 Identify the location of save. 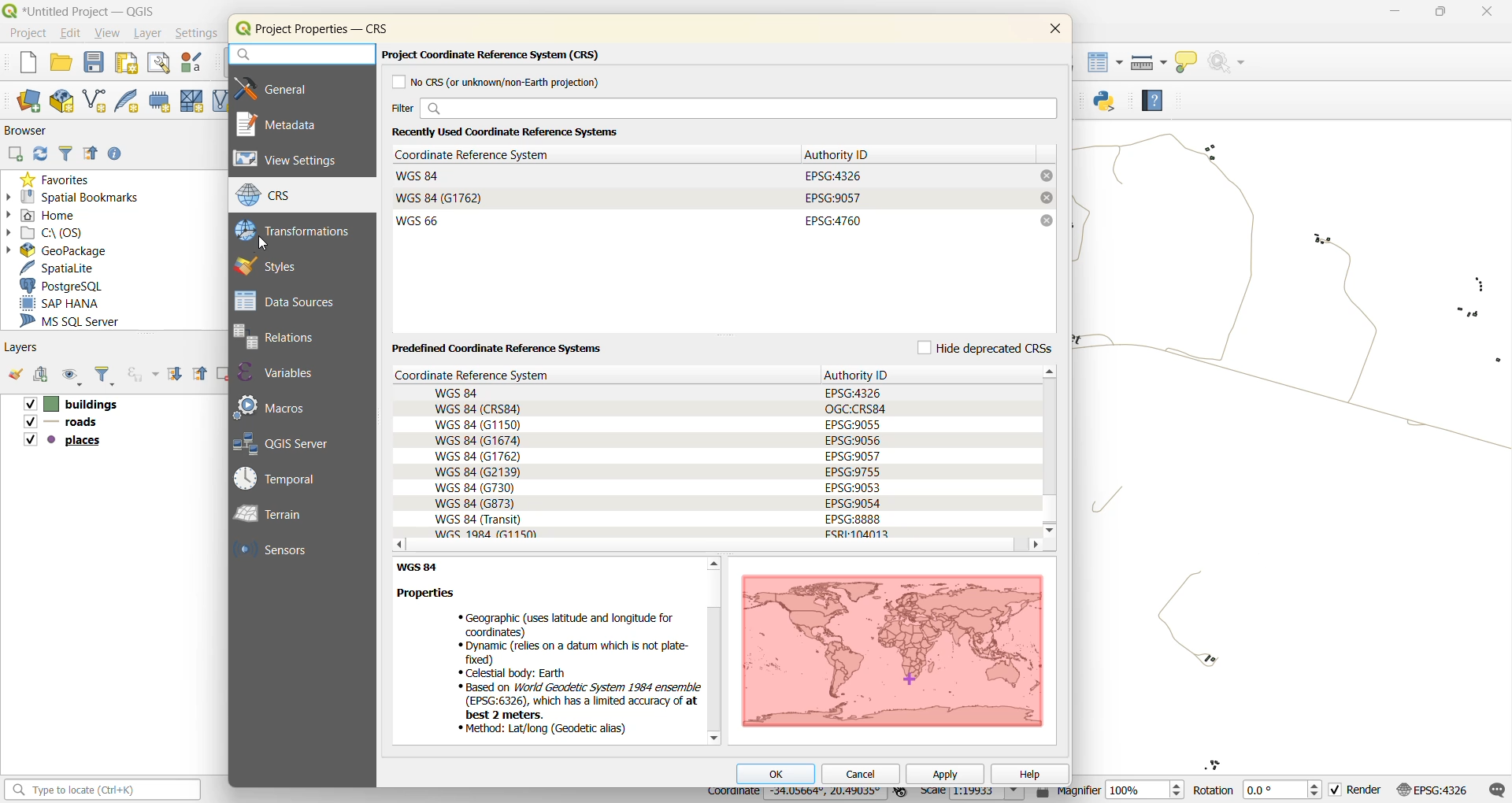
(94, 64).